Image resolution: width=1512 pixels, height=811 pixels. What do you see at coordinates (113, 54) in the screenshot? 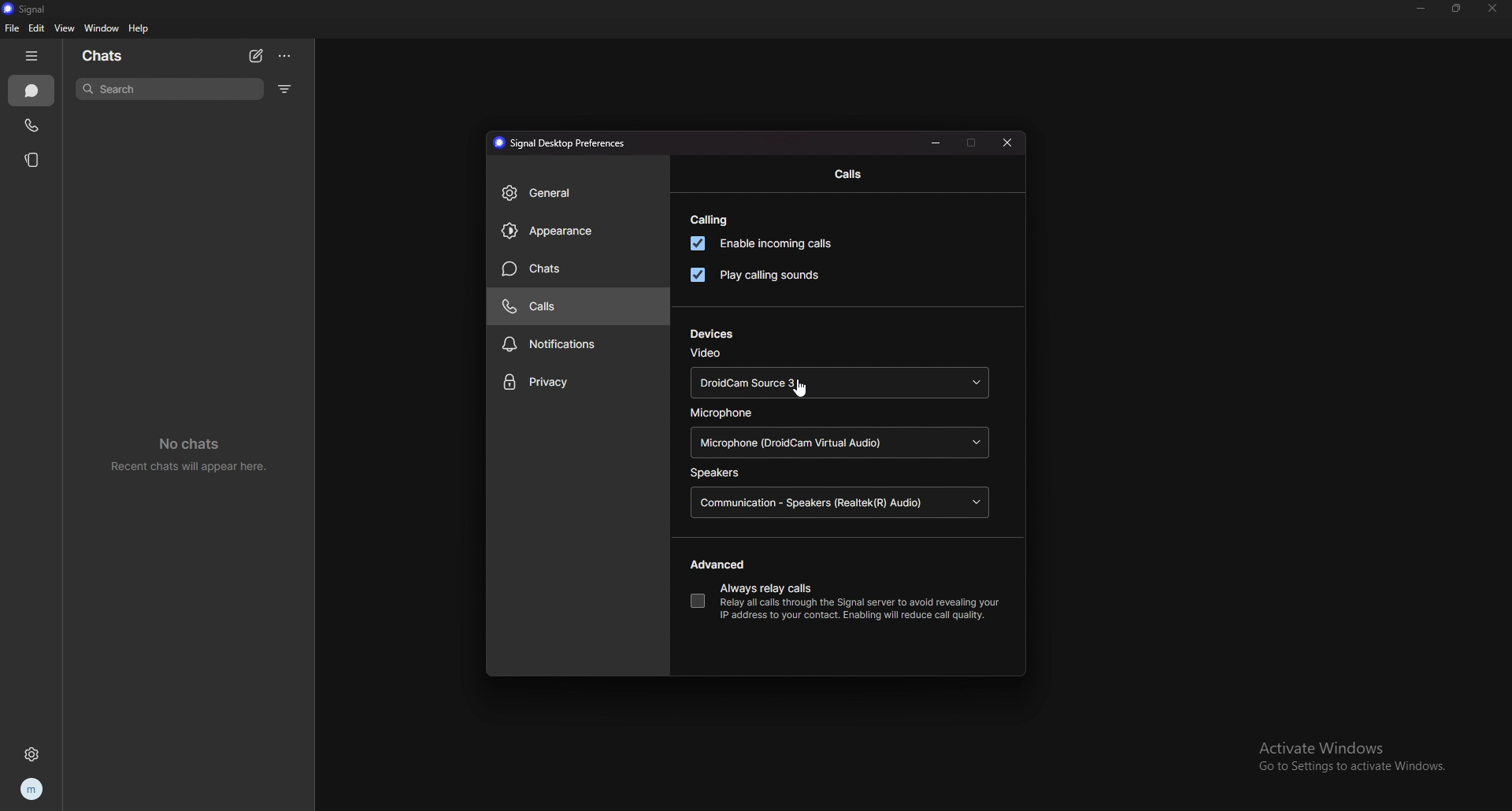
I see `chats` at bounding box center [113, 54].